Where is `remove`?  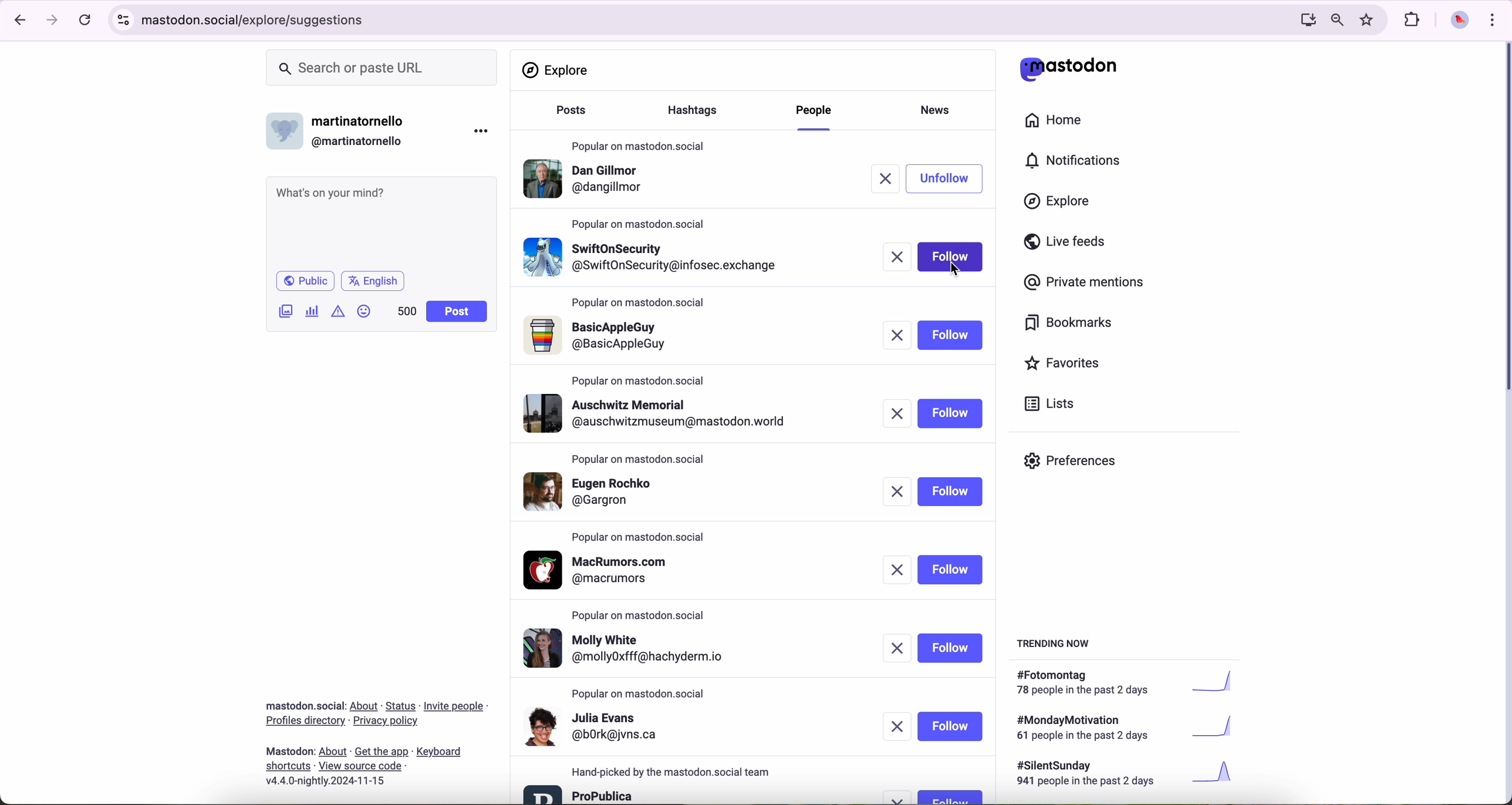 remove is located at coordinates (896, 413).